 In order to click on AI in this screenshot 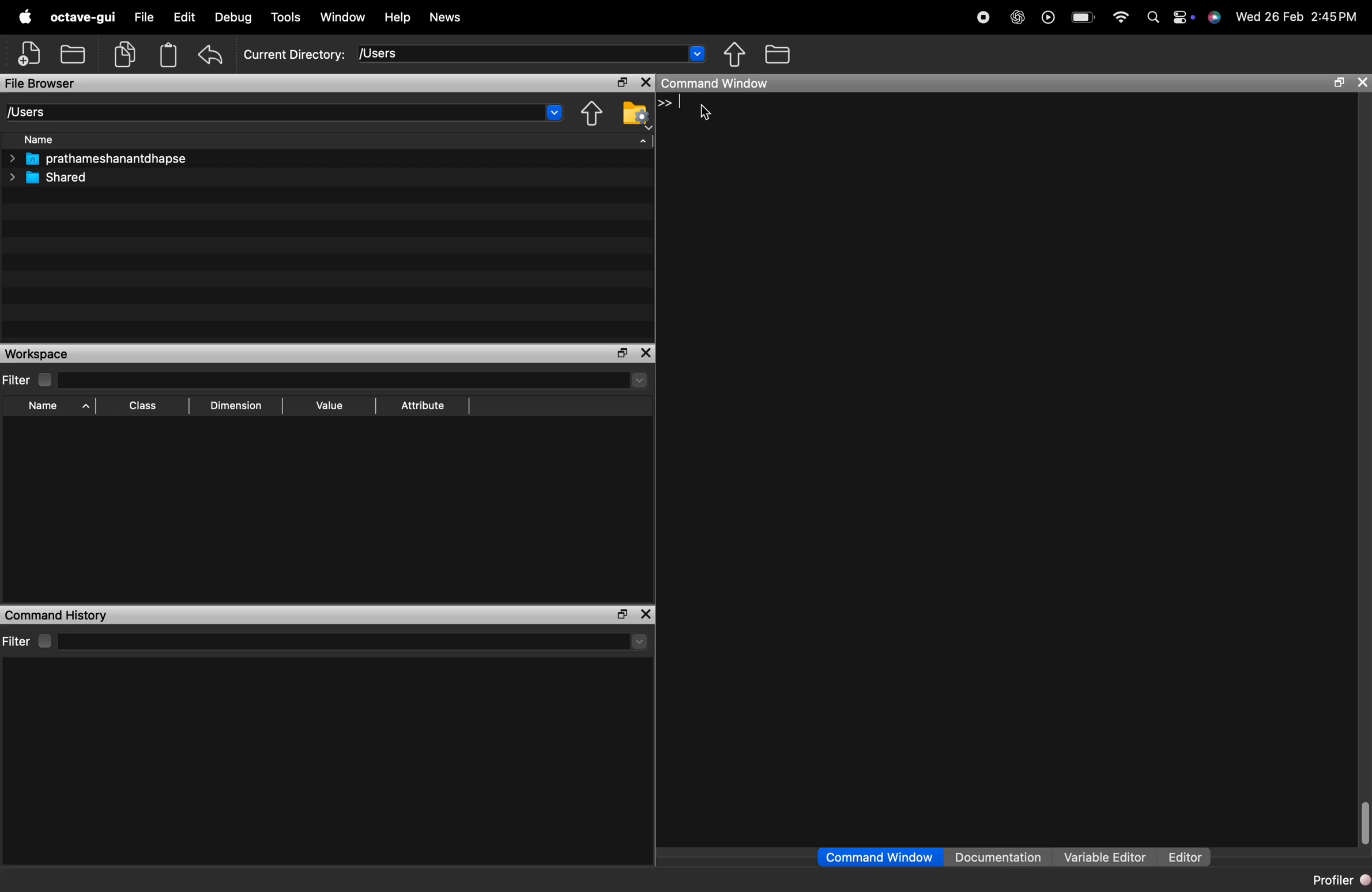, I will do `click(1016, 14)`.